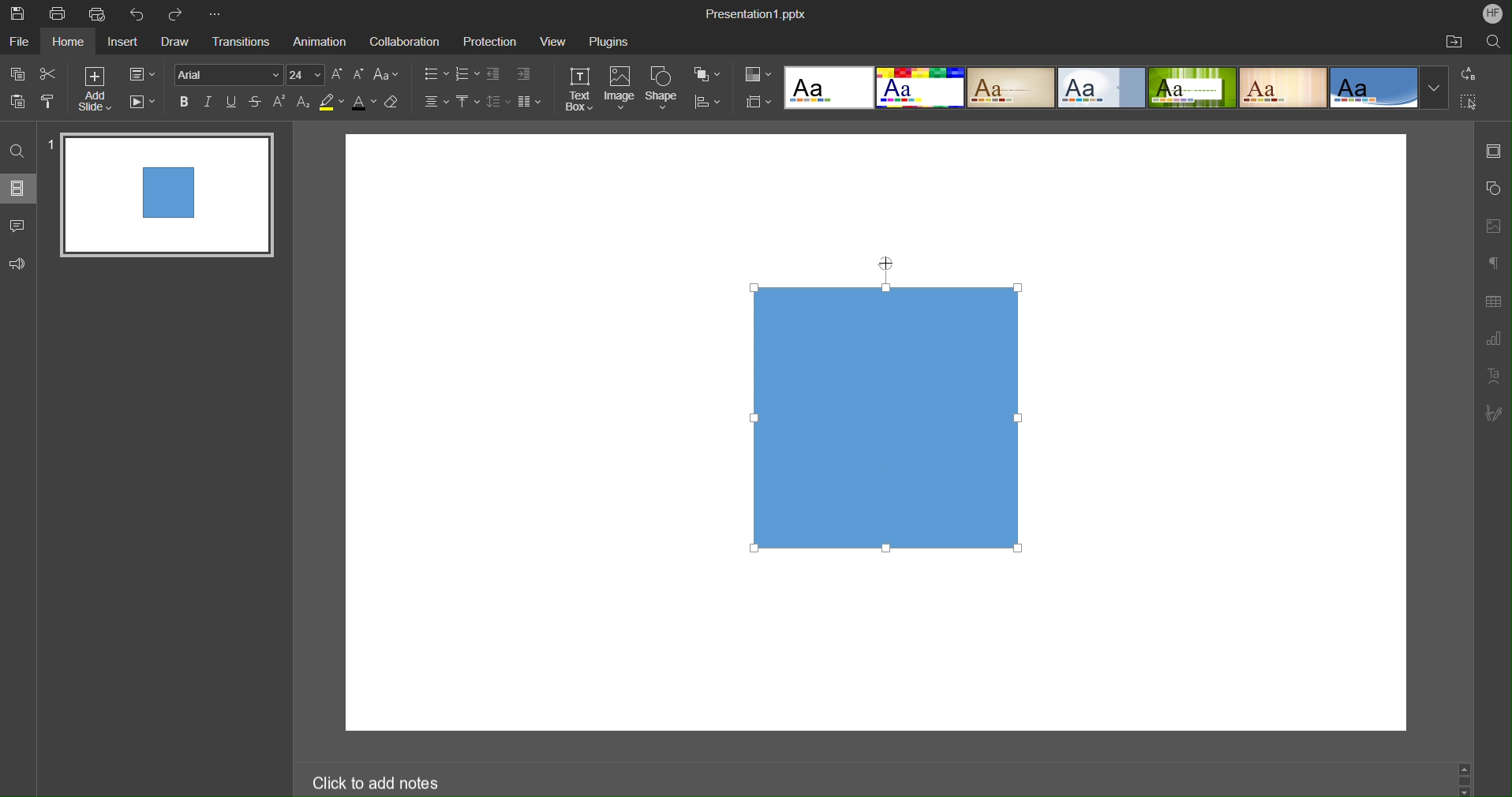  Describe the element at coordinates (58, 12) in the screenshot. I see `Print` at that location.